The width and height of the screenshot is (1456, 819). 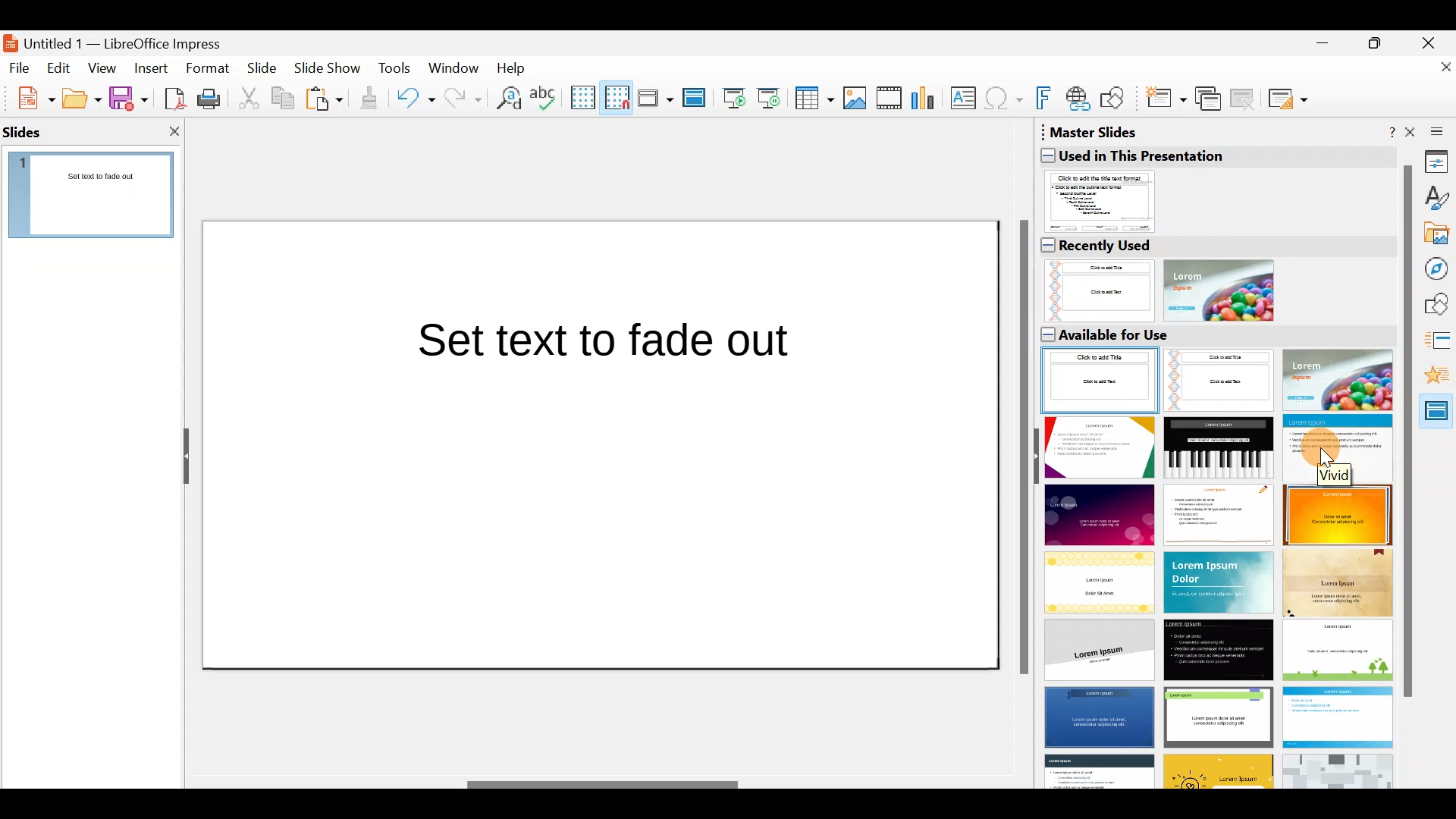 I want to click on Format, so click(x=206, y=67).